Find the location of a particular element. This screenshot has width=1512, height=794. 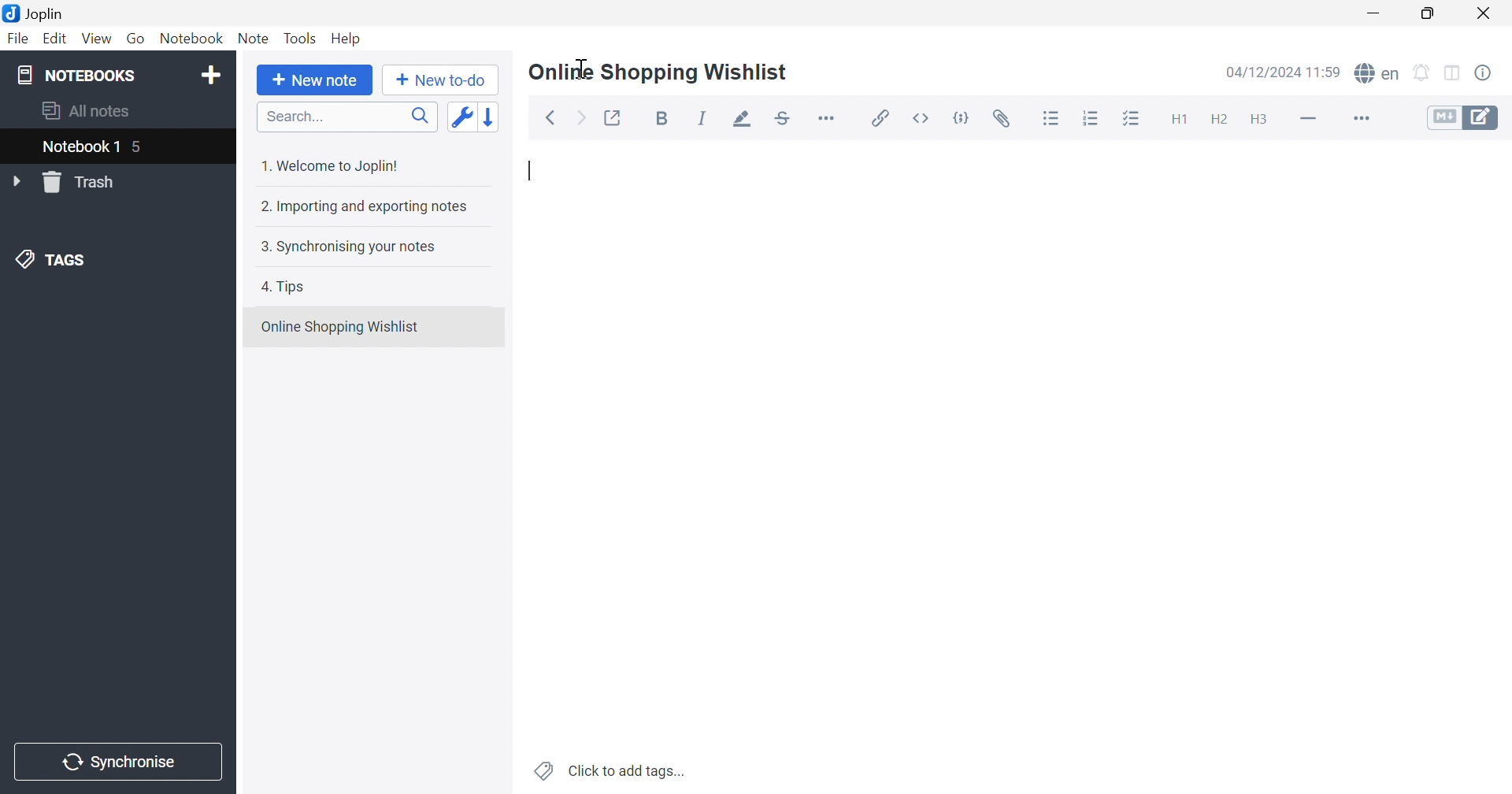

Heading 3 is located at coordinates (1260, 121).